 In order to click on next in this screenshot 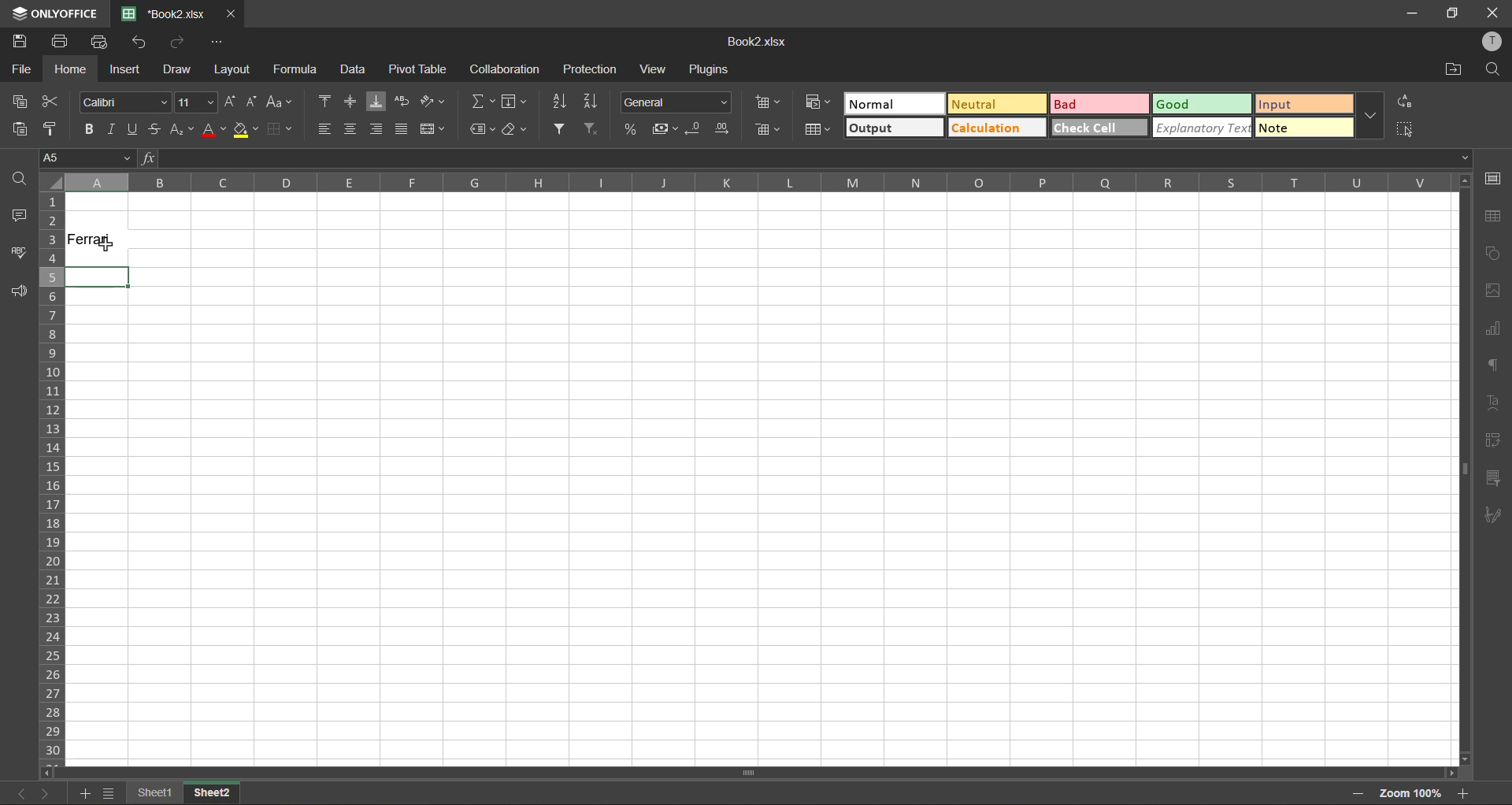, I will do `click(43, 793)`.